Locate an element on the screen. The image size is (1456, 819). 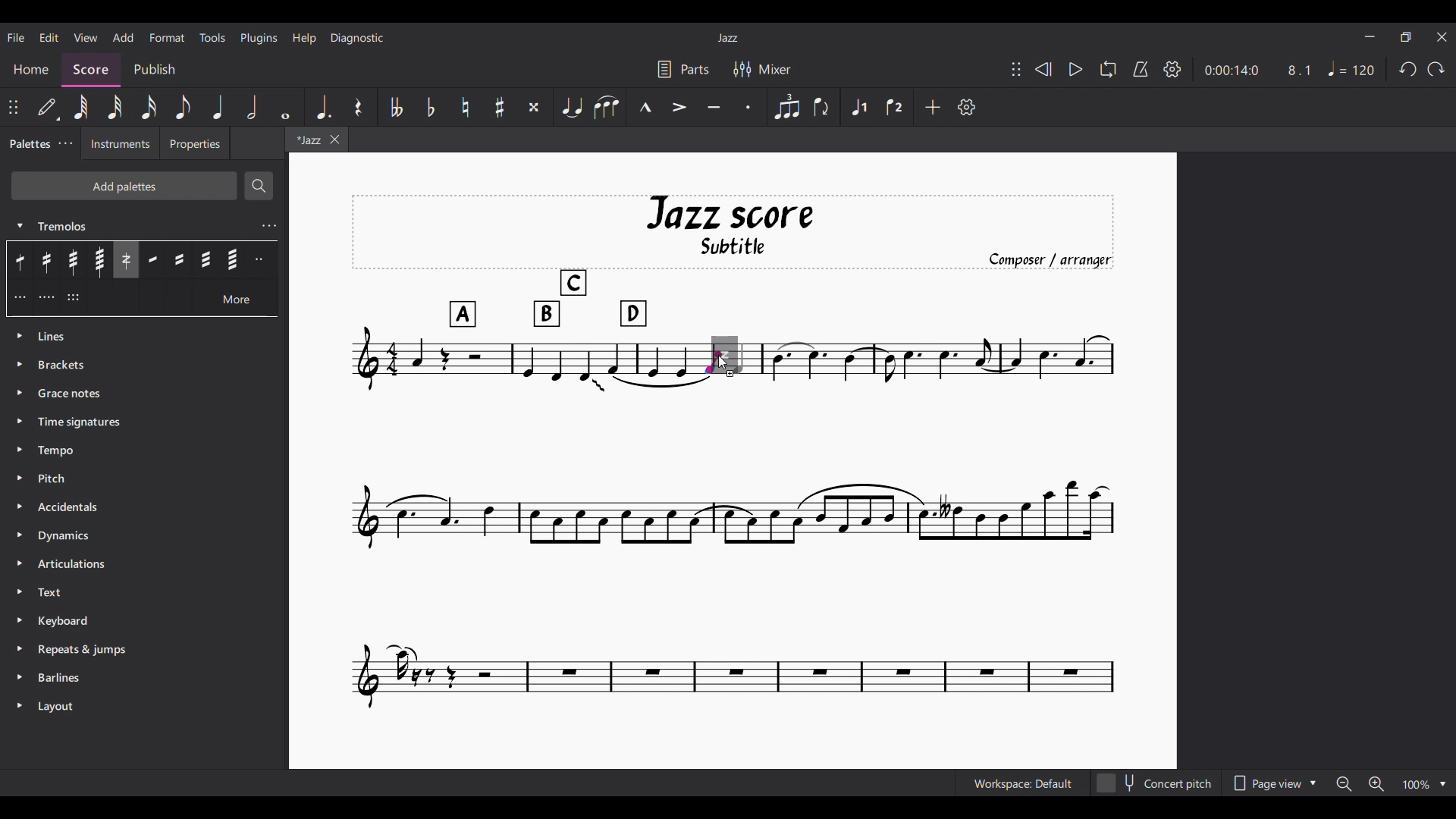
Add is located at coordinates (934, 107).